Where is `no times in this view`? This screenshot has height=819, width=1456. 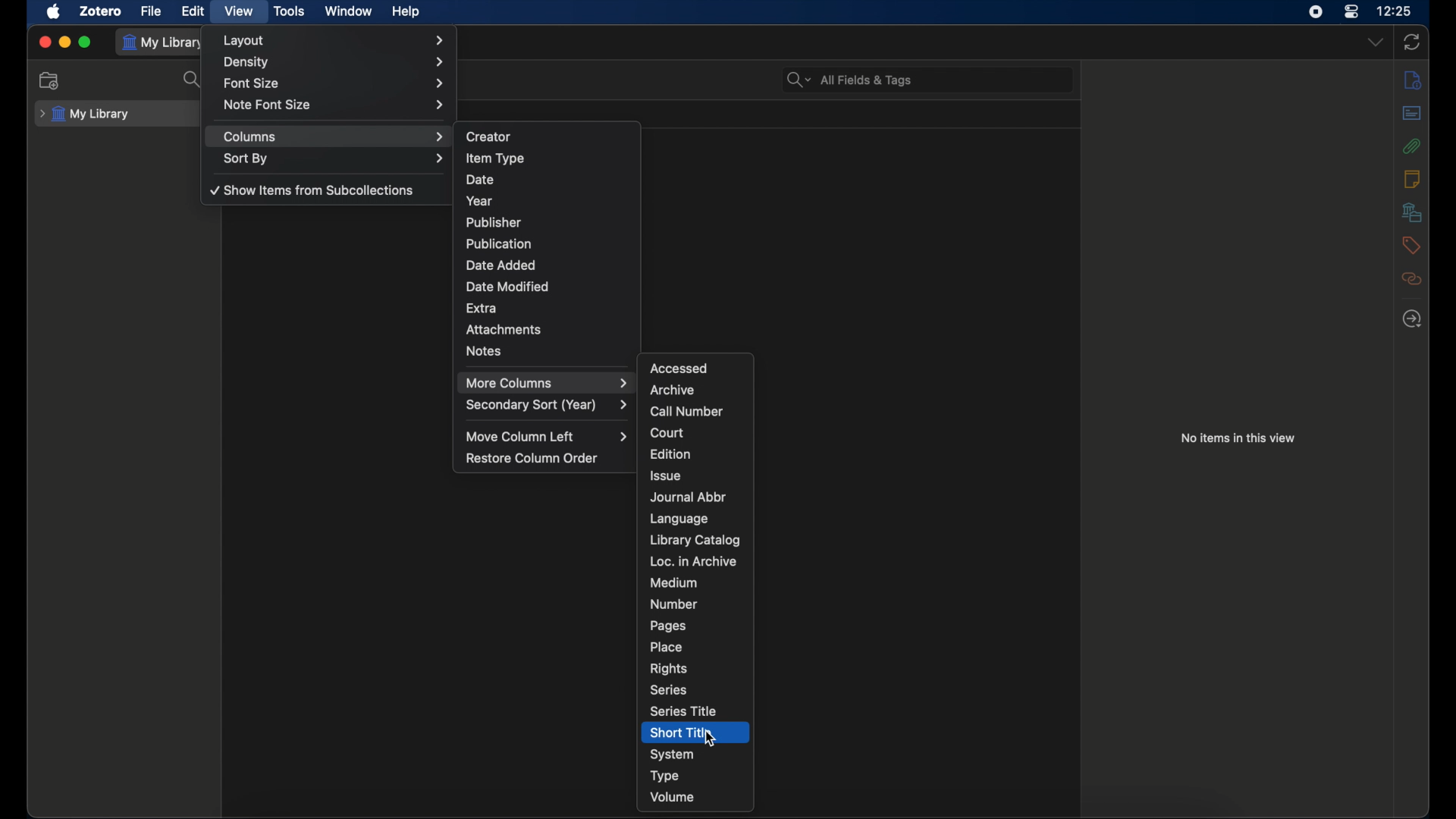
no times in this view is located at coordinates (1238, 438).